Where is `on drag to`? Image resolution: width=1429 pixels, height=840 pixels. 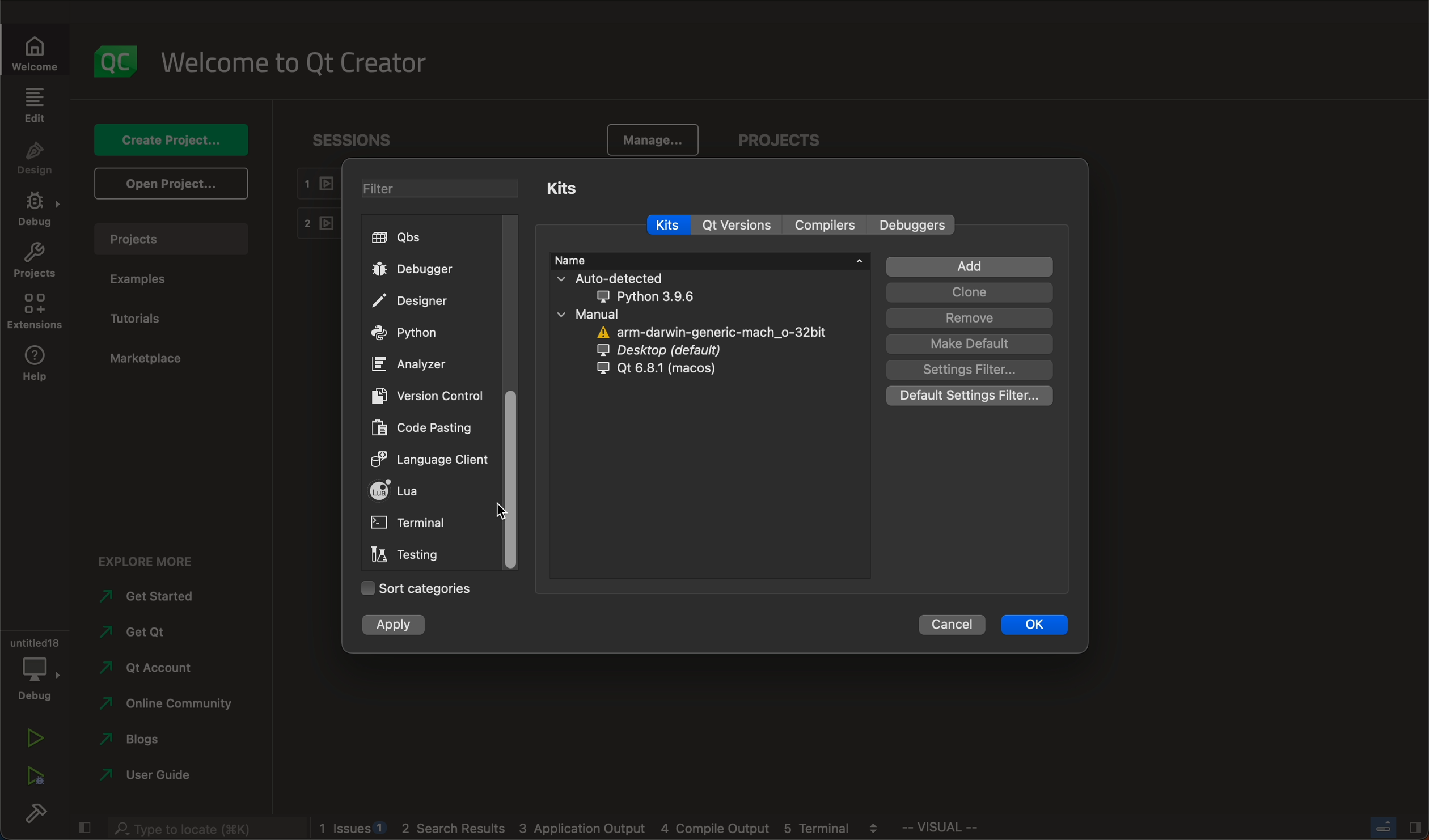 on drag to is located at coordinates (509, 512).